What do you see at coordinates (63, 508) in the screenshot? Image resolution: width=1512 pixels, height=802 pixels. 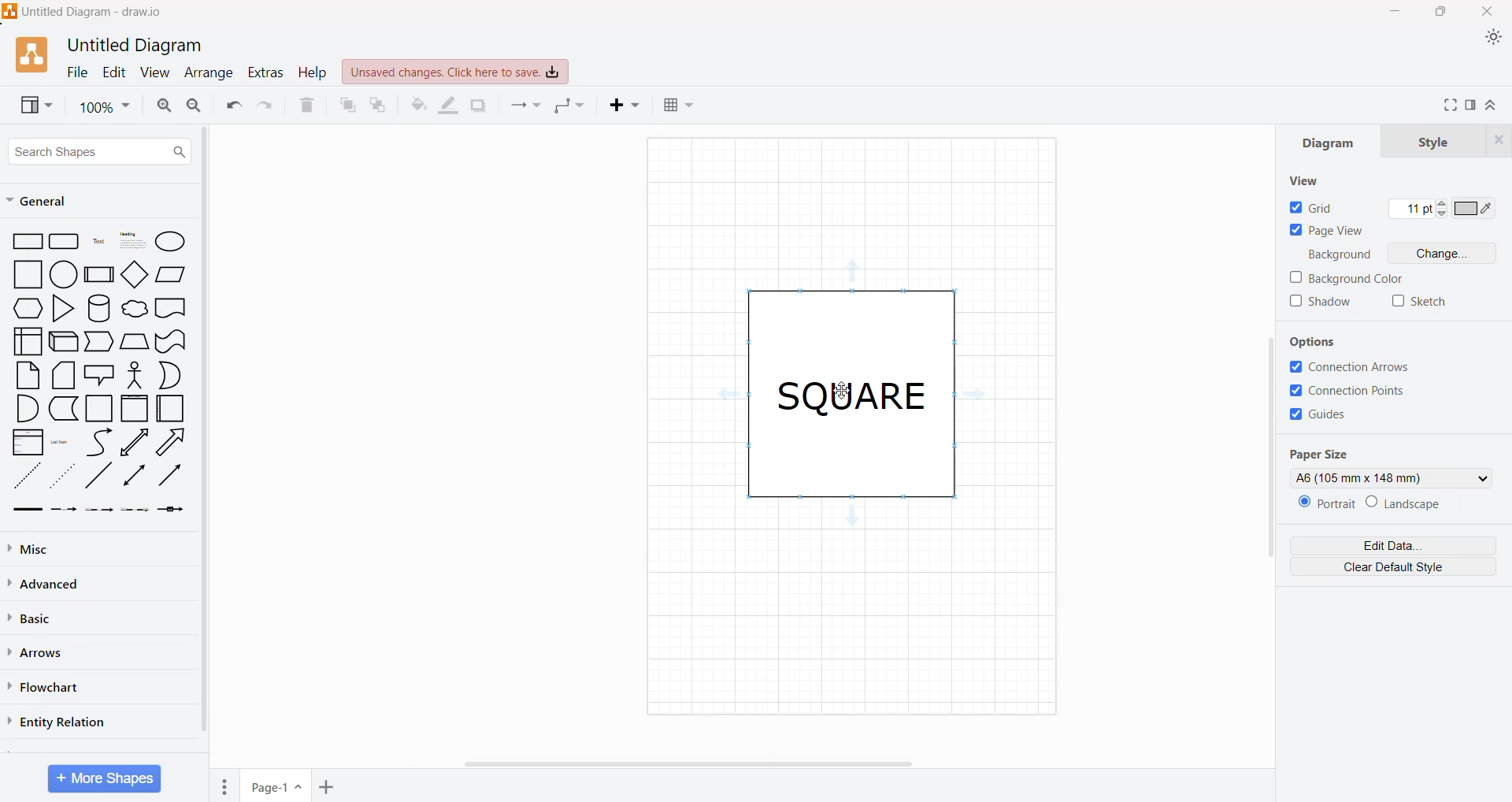 I see `Dashed Arrow ` at bounding box center [63, 508].